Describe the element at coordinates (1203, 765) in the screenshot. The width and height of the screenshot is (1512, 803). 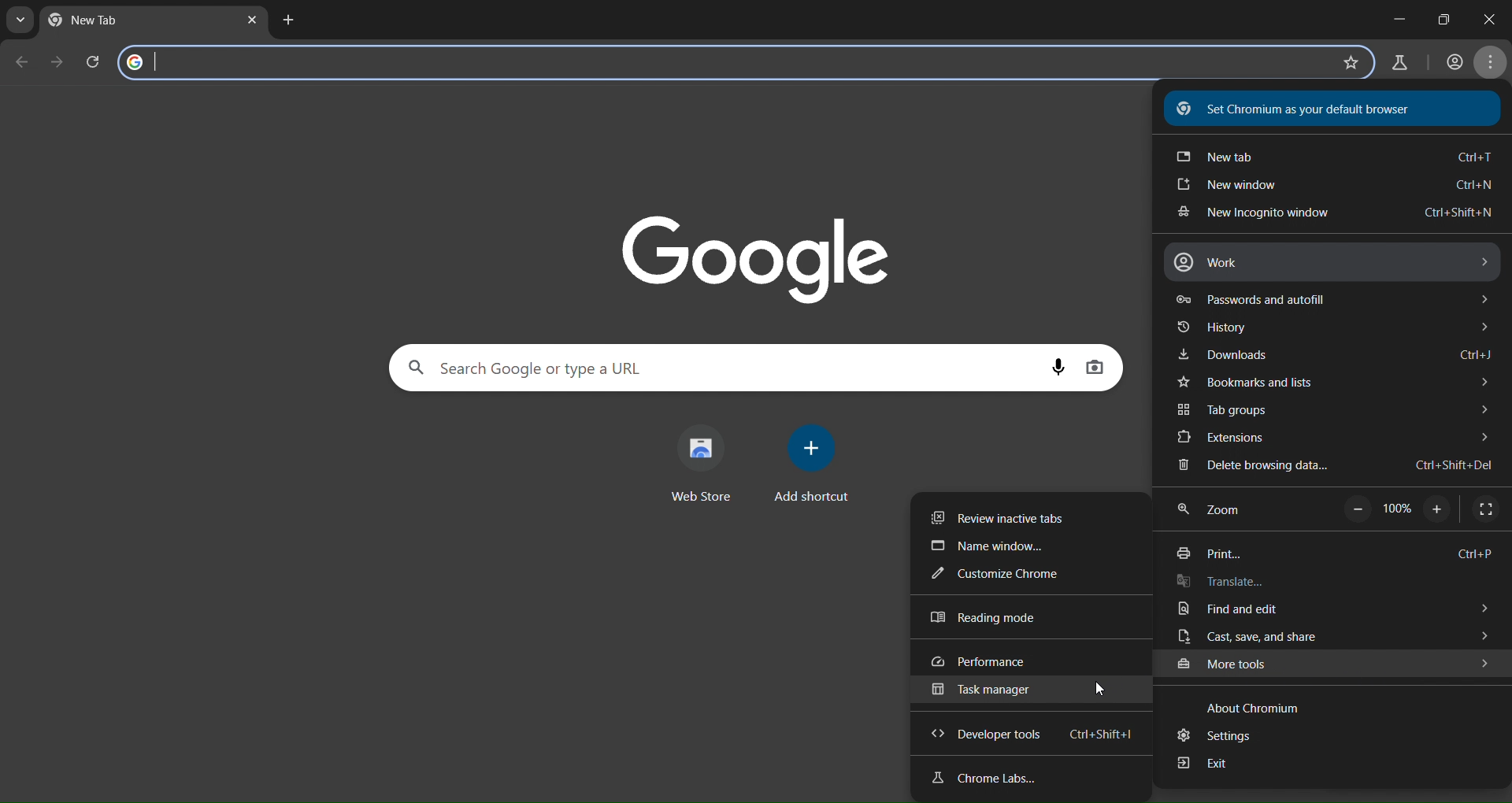
I see `exit` at that location.